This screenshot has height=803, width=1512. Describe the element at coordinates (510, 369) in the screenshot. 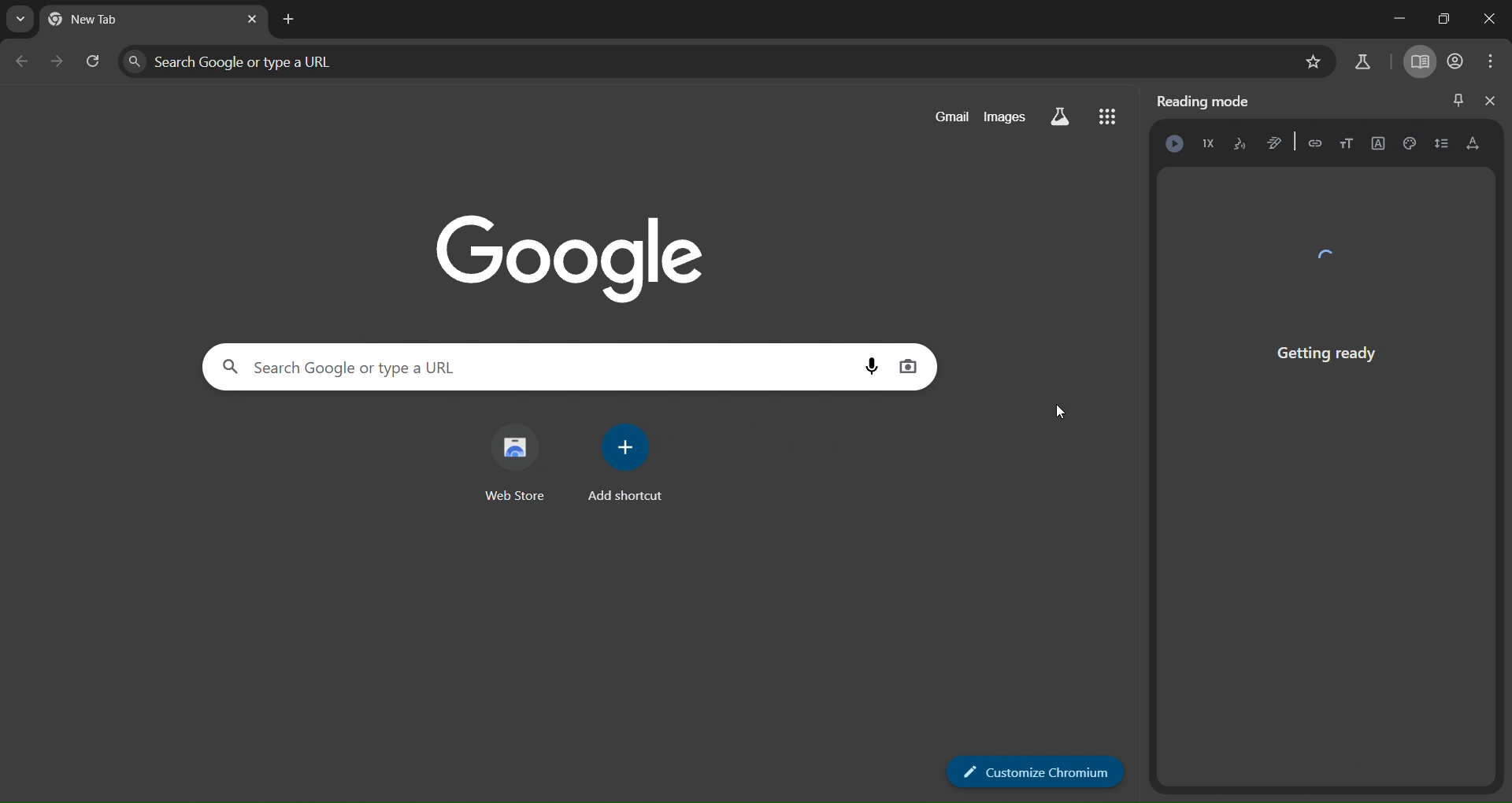

I see `search panel` at that location.